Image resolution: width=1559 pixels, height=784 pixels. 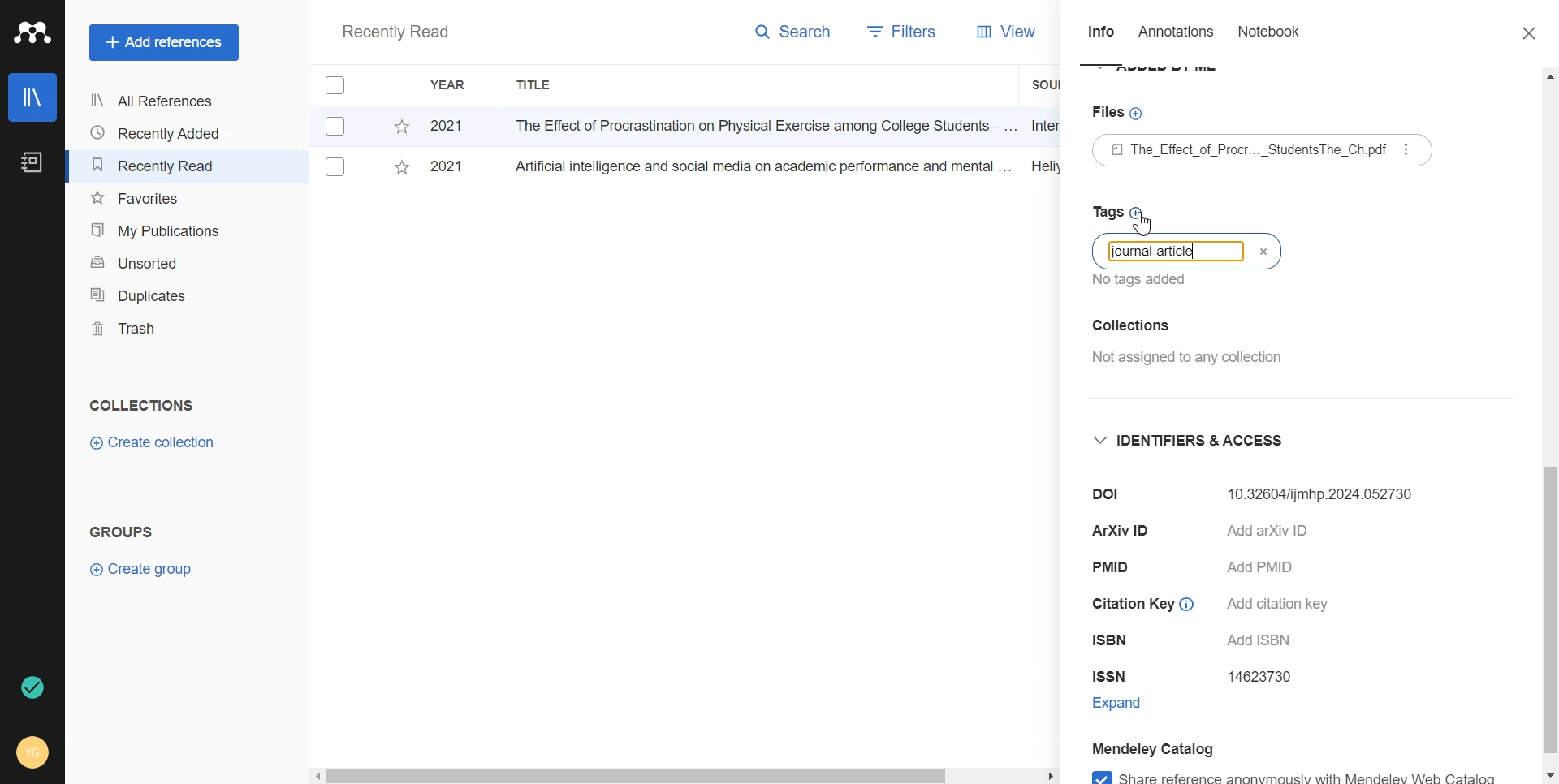 What do you see at coordinates (1408, 149) in the screenshot?
I see `More` at bounding box center [1408, 149].